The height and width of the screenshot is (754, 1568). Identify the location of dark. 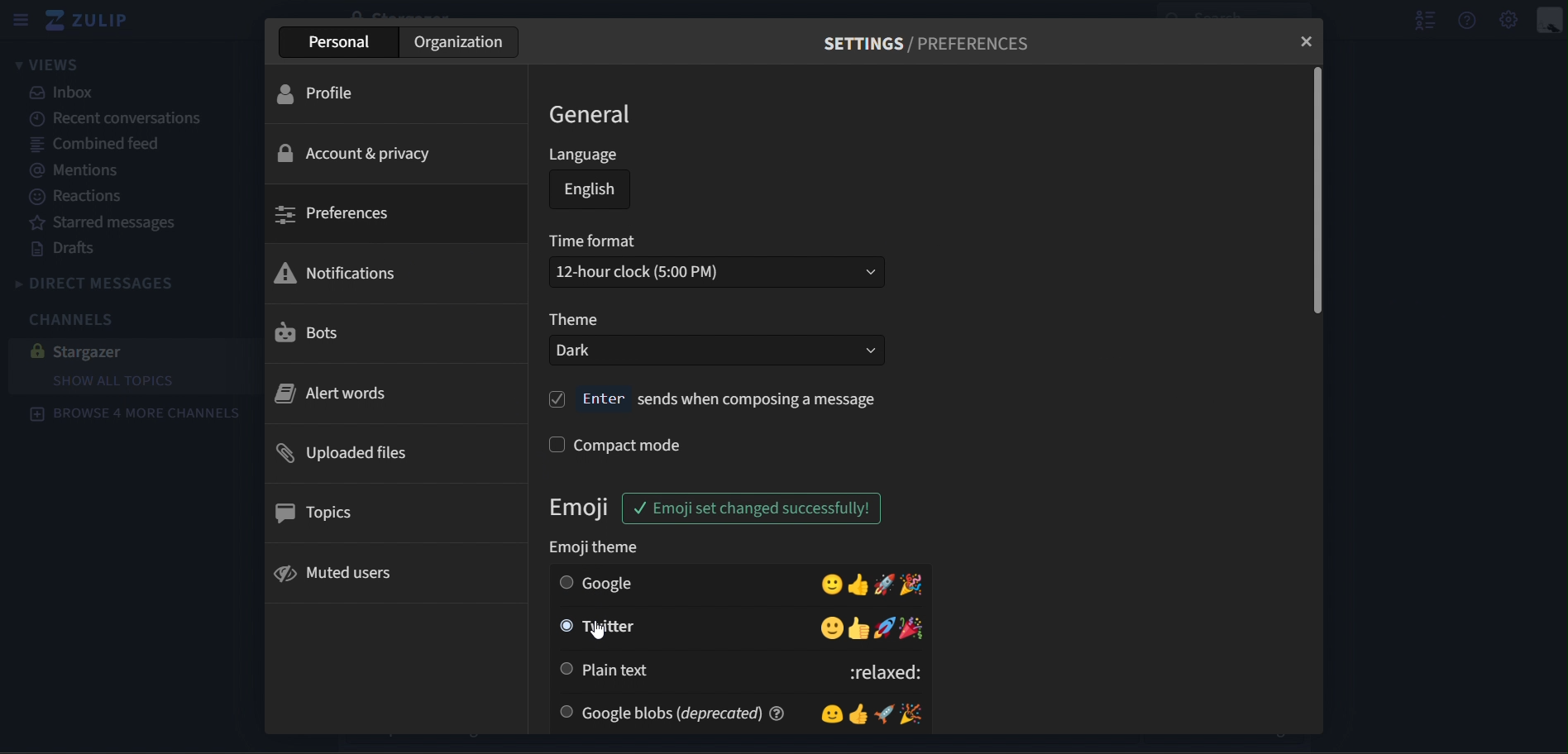
(716, 351).